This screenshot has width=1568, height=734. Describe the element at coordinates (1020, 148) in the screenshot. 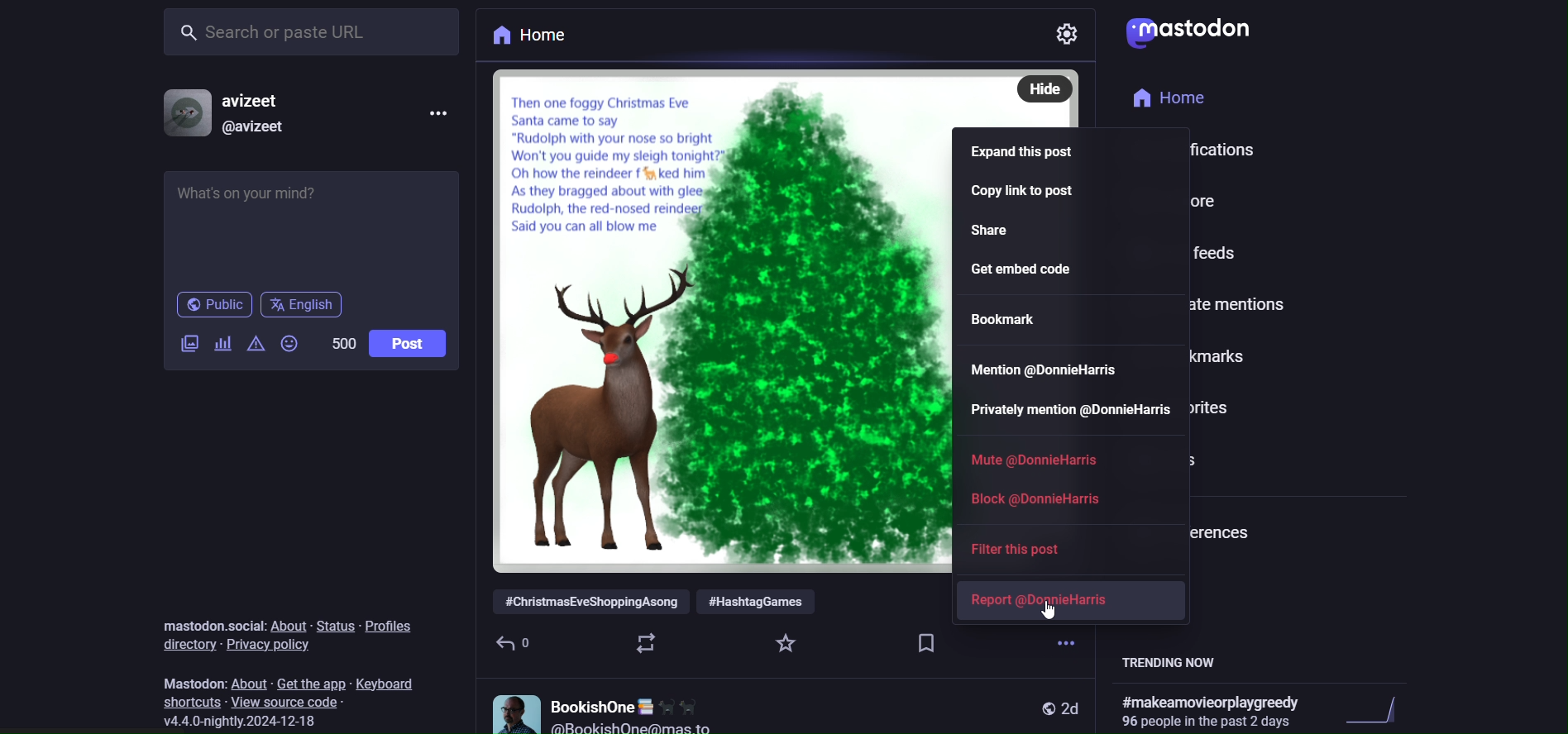

I see `expand this post` at that location.